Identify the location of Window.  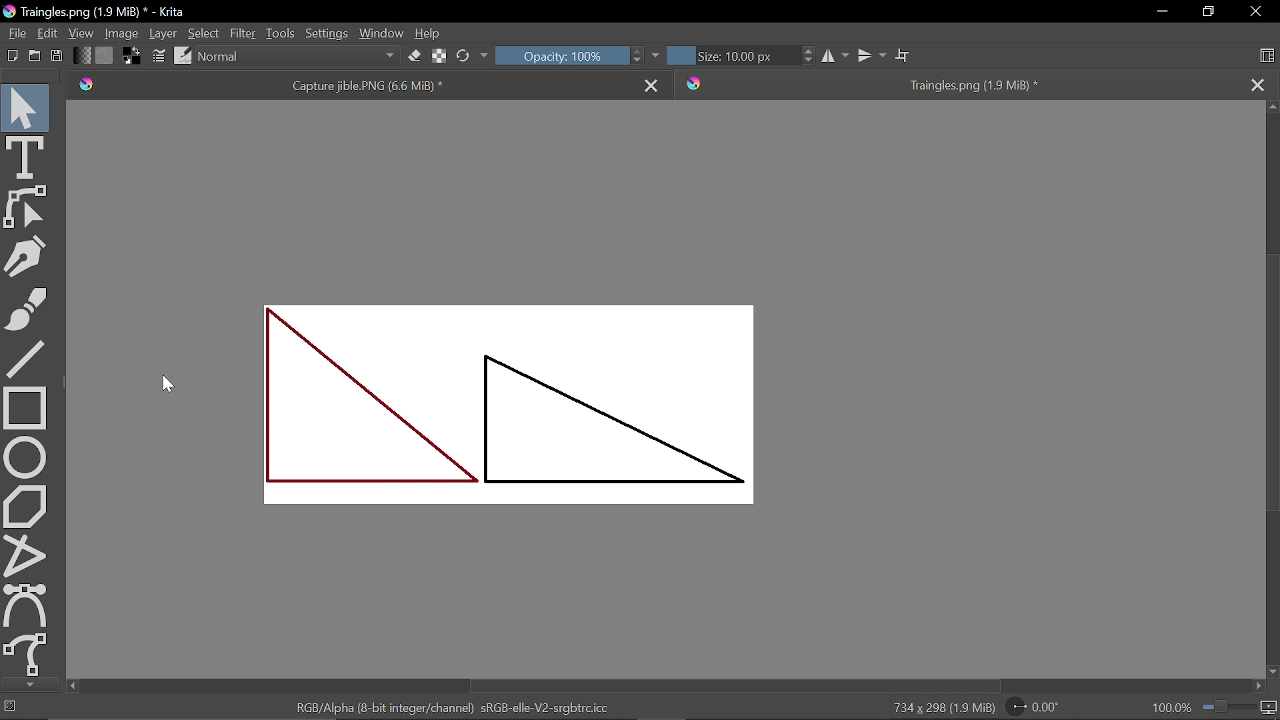
(380, 33).